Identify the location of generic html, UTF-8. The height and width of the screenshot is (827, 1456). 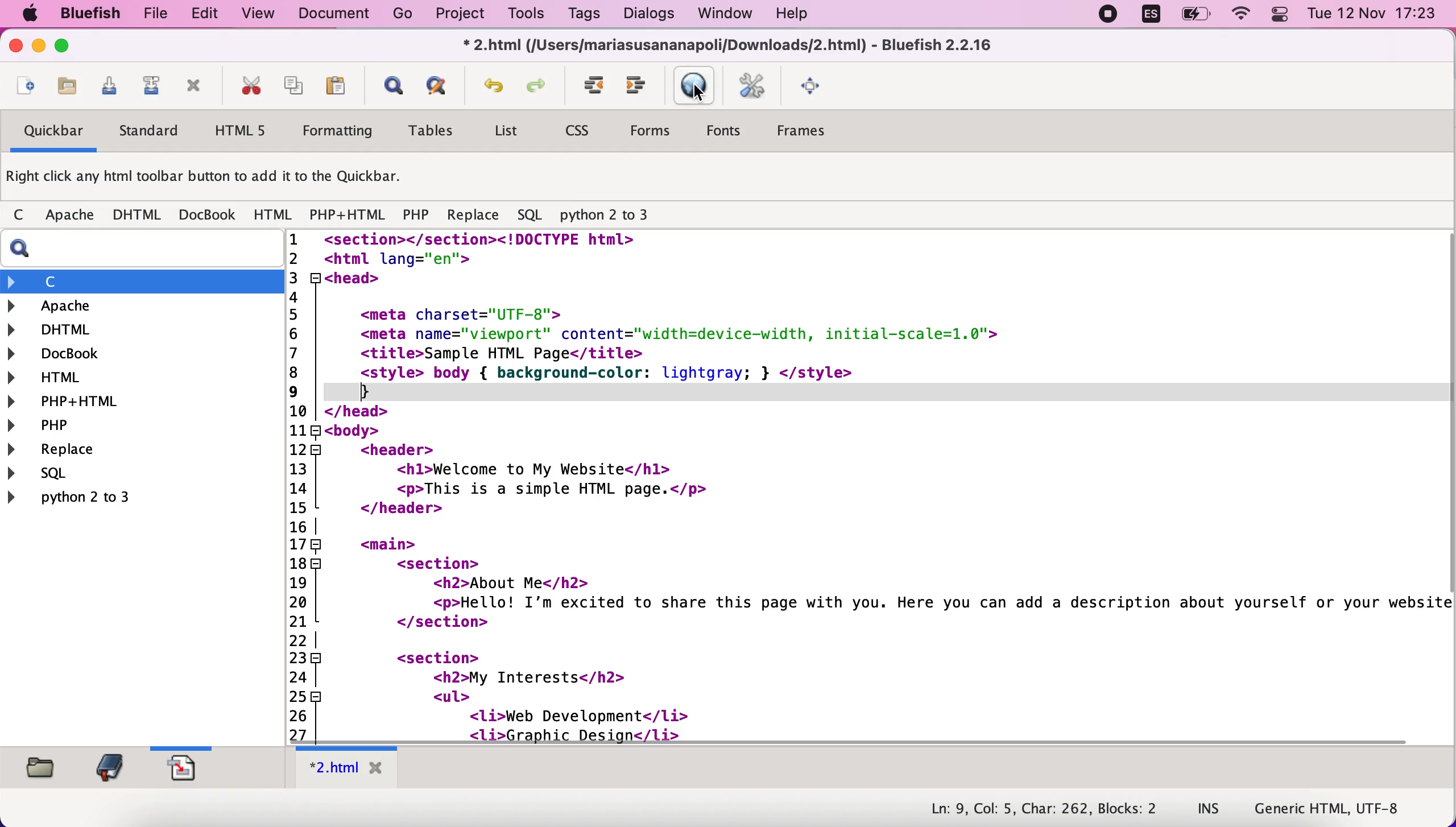
(1333, 809).